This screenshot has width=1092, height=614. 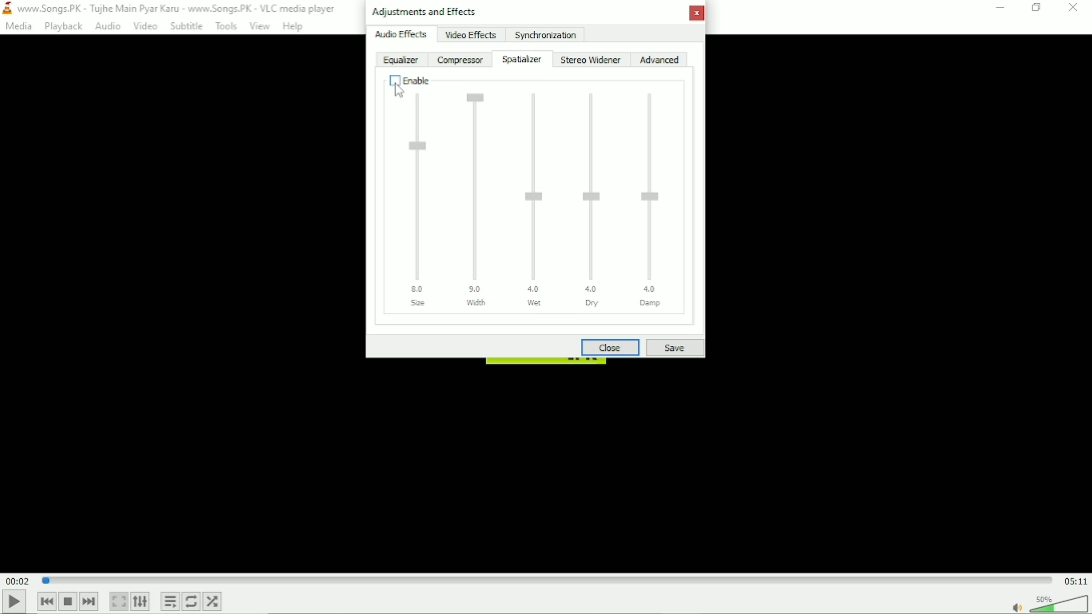 I want to click on Total duration, so click(x=1076, y=581).